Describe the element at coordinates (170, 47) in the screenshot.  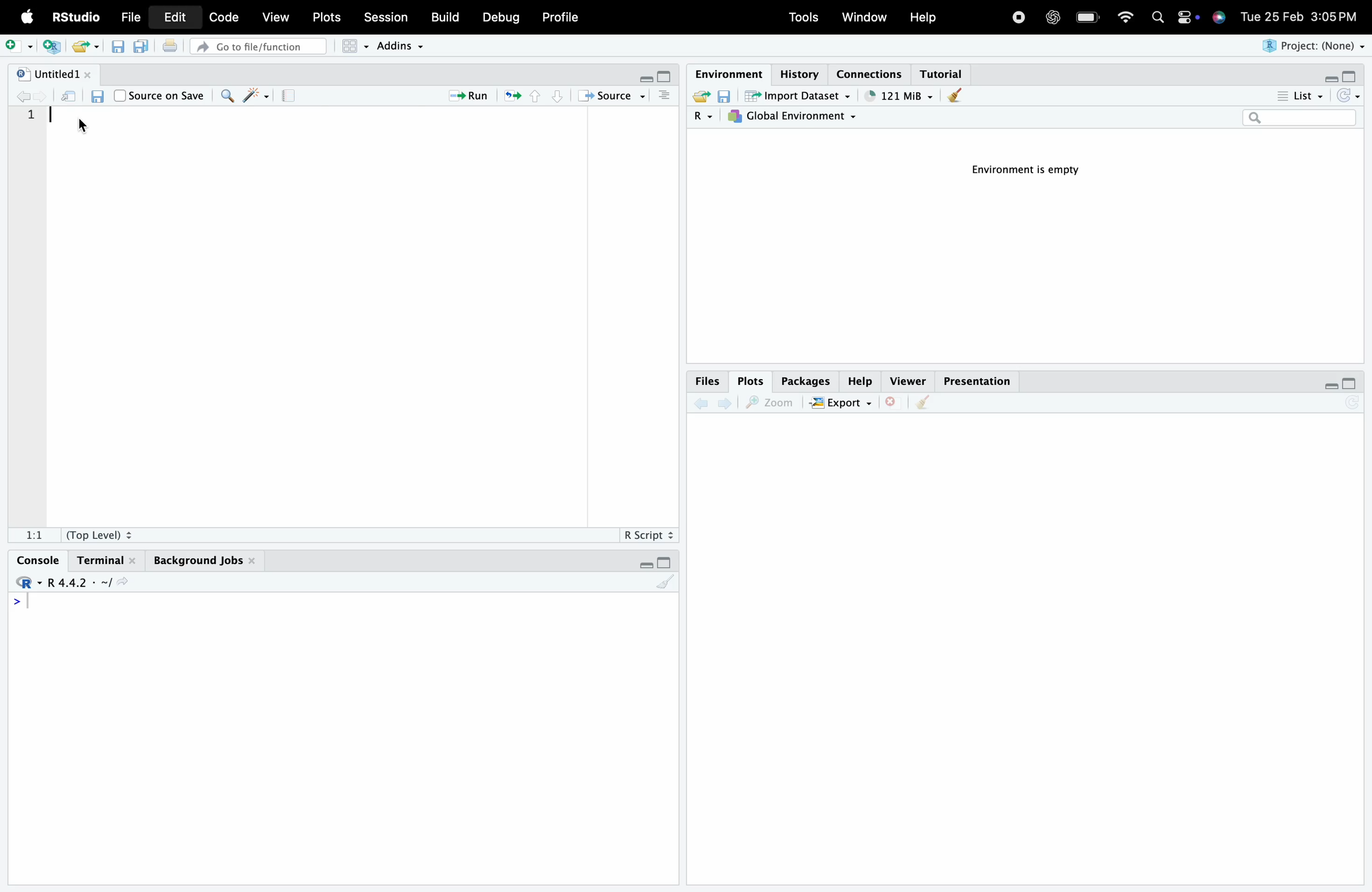
I see `Print the current file` at that location.